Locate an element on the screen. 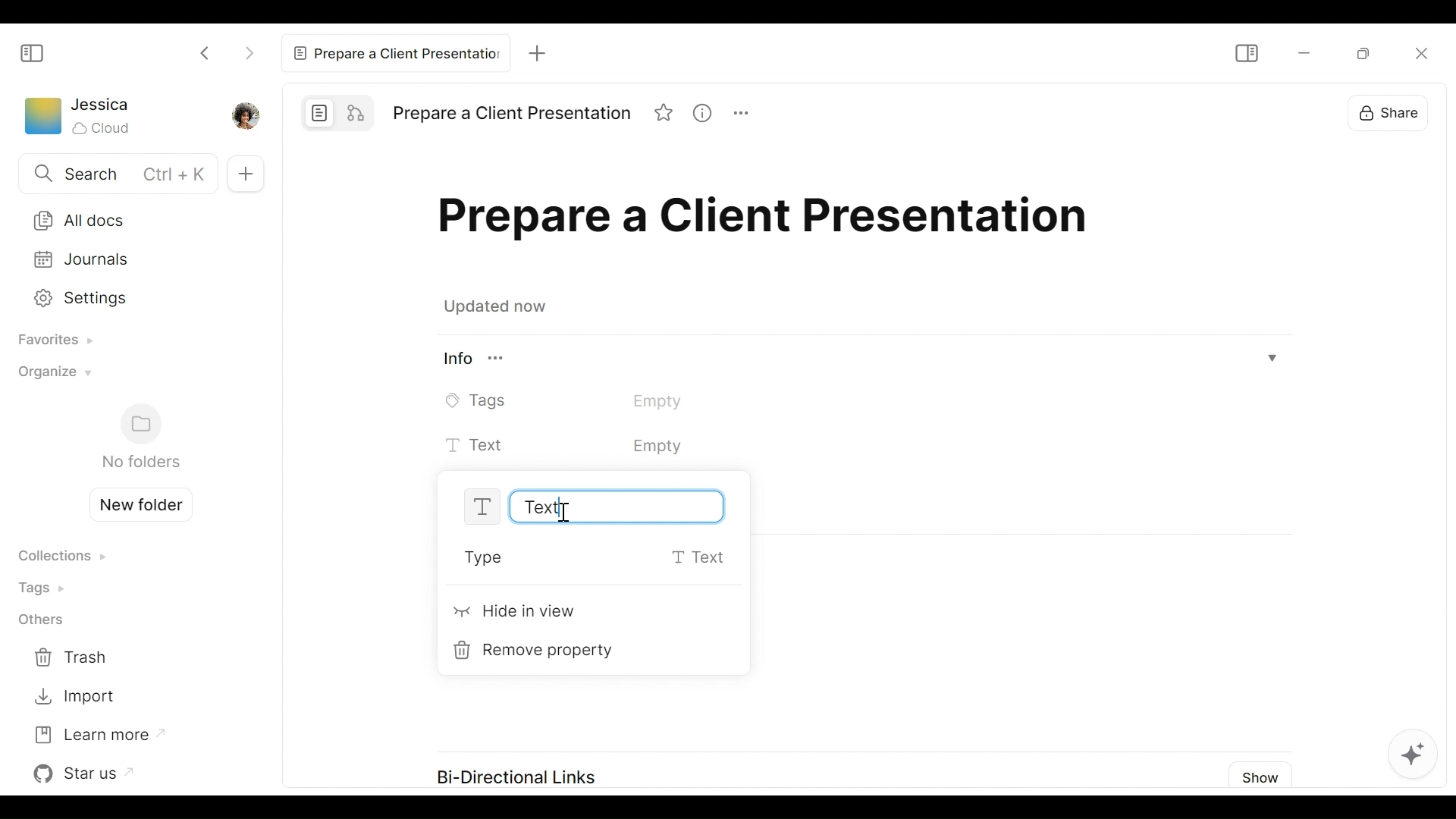 The width and height of the screenshot is (1456, 819). Profile picture is located at coordinates (243, 115).